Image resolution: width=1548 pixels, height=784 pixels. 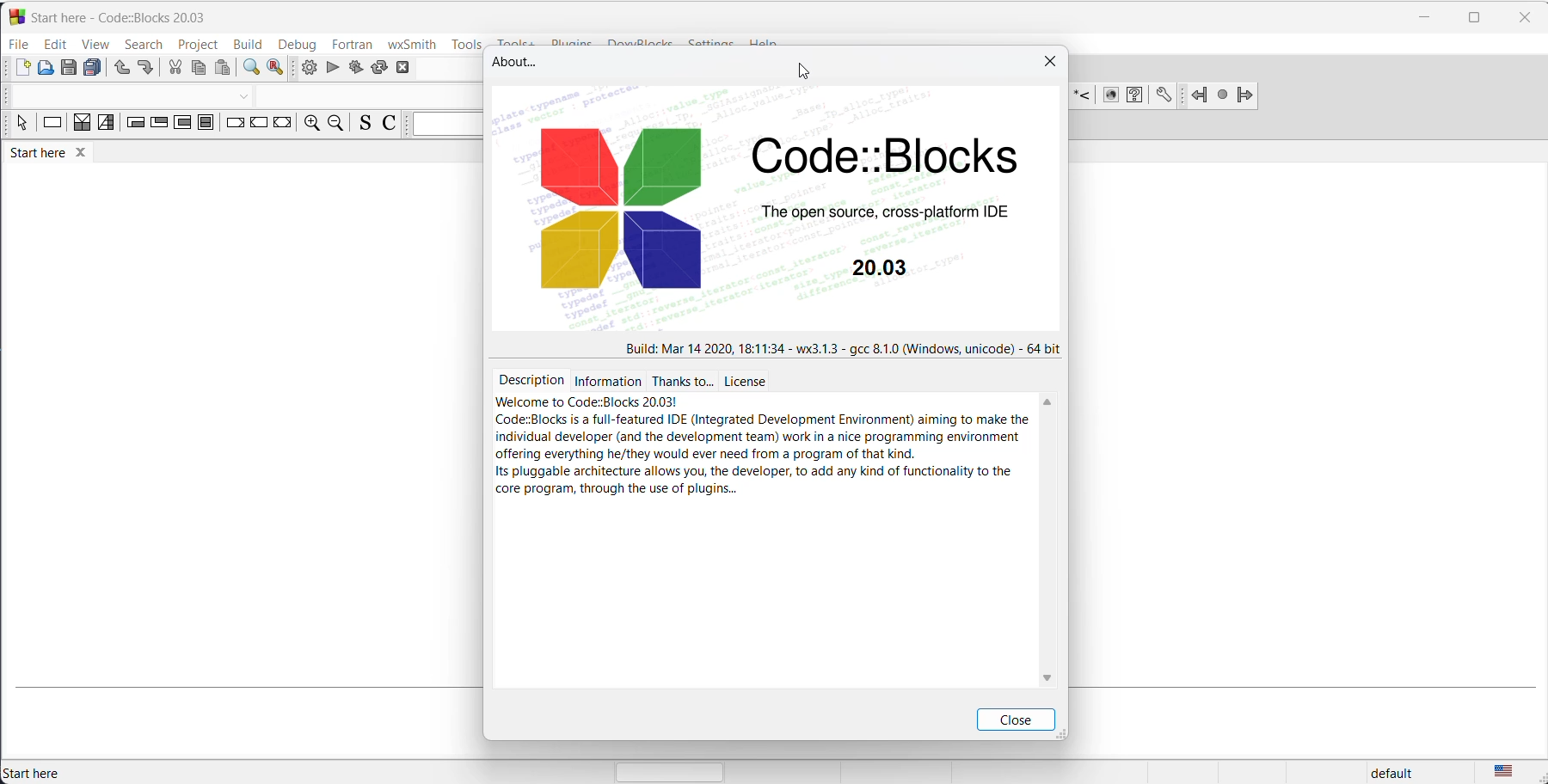 I want to click on close, so click(x=1015, y=720).